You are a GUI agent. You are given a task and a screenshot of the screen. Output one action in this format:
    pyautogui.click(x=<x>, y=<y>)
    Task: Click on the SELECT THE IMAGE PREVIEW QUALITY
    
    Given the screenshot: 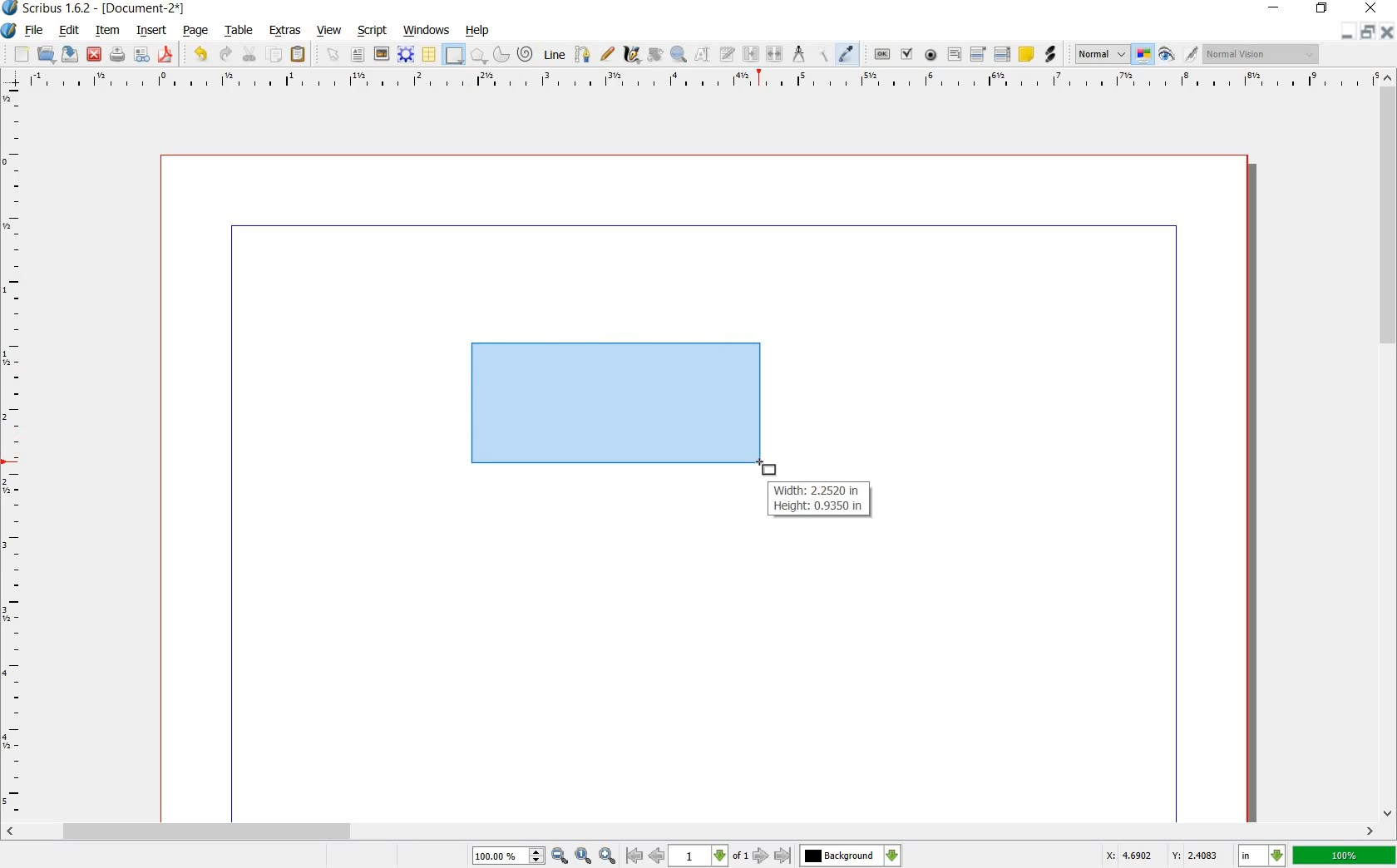 What is the action you would take?
    pyautogui.click(x=1098, y=54)
    